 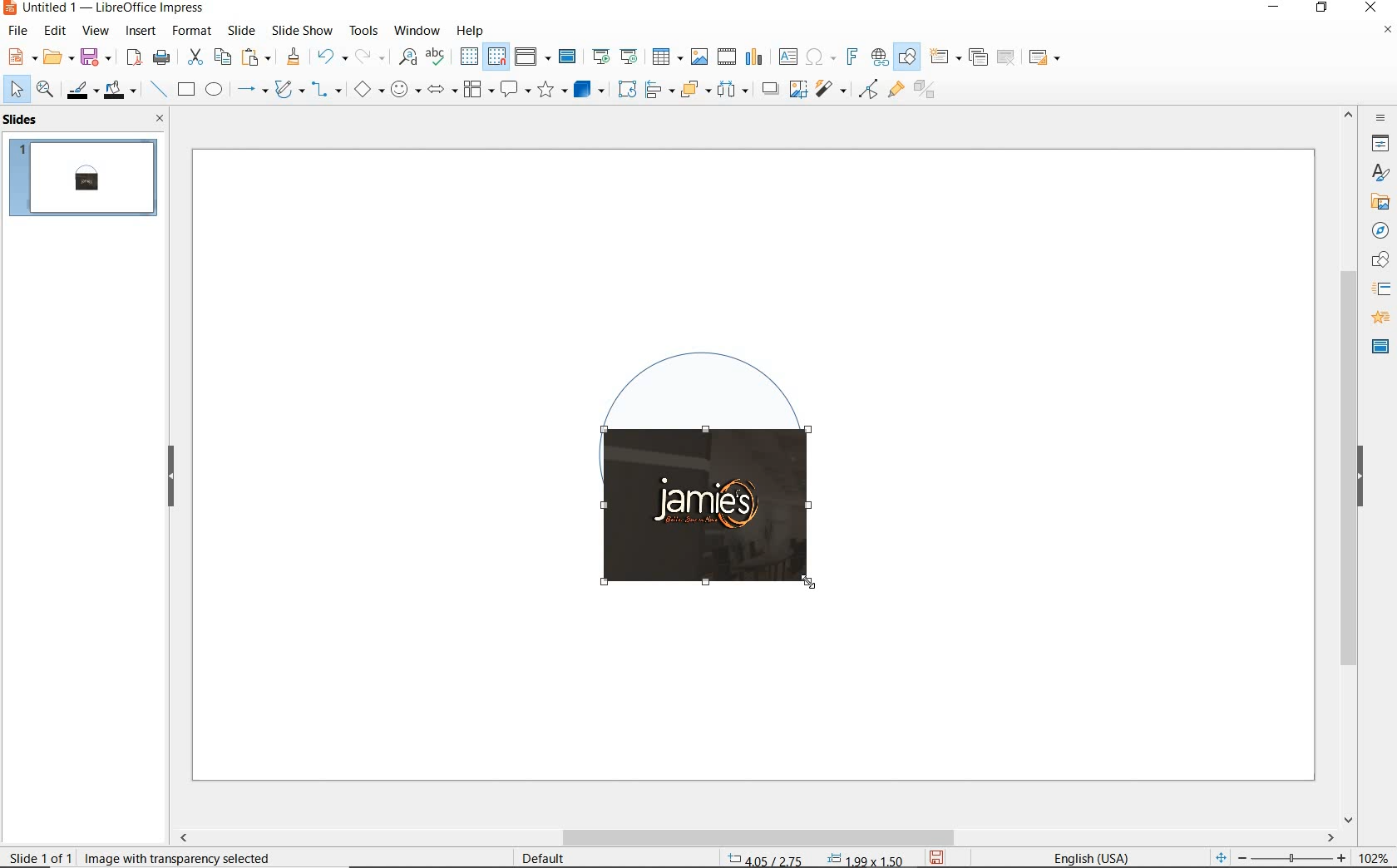 What do you see at coordinates (56, 31) in the screenshot?
I see `edit` at bounding box center [56, 31].